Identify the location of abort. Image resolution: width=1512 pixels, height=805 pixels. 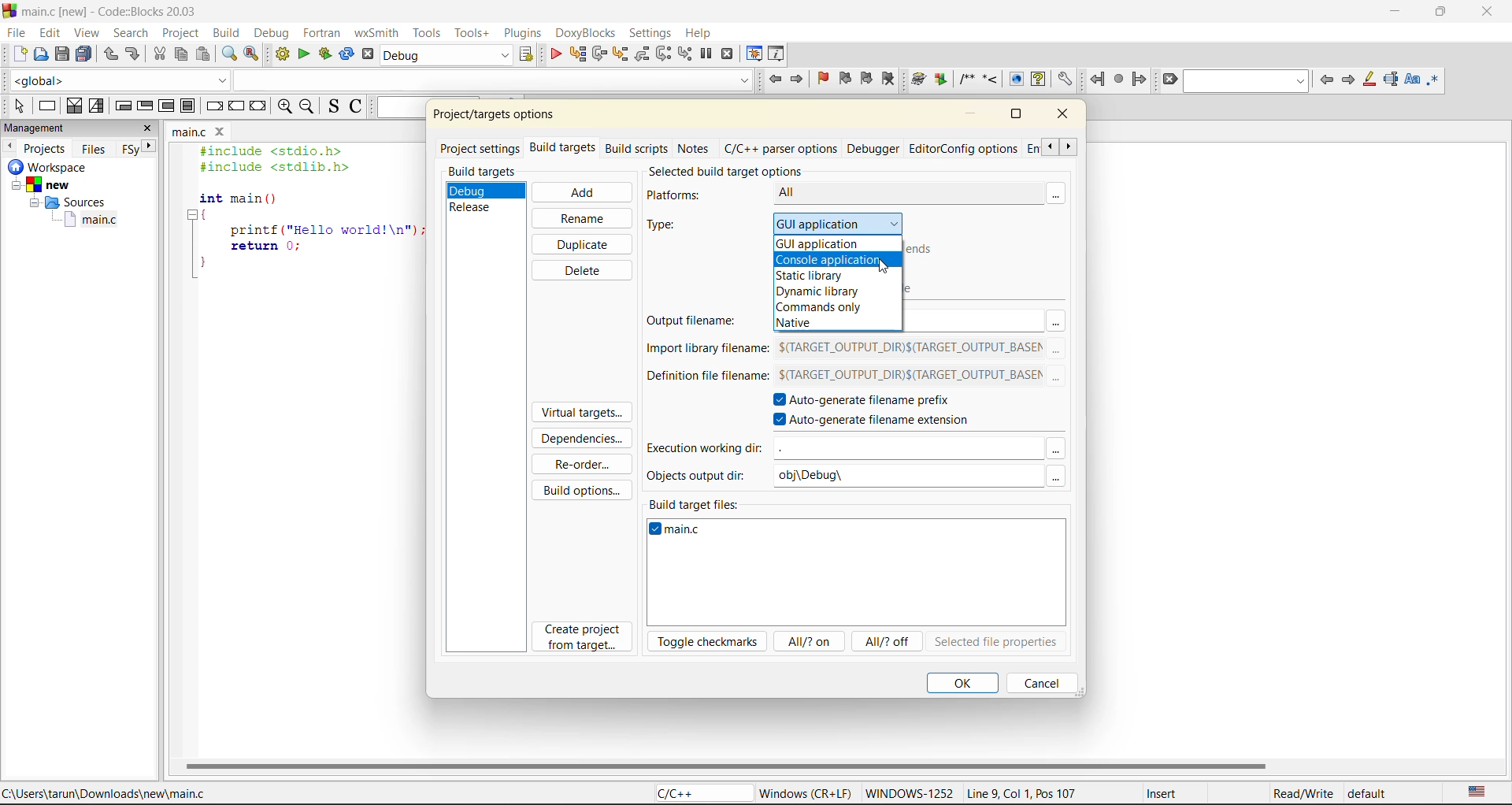
(367, 55).